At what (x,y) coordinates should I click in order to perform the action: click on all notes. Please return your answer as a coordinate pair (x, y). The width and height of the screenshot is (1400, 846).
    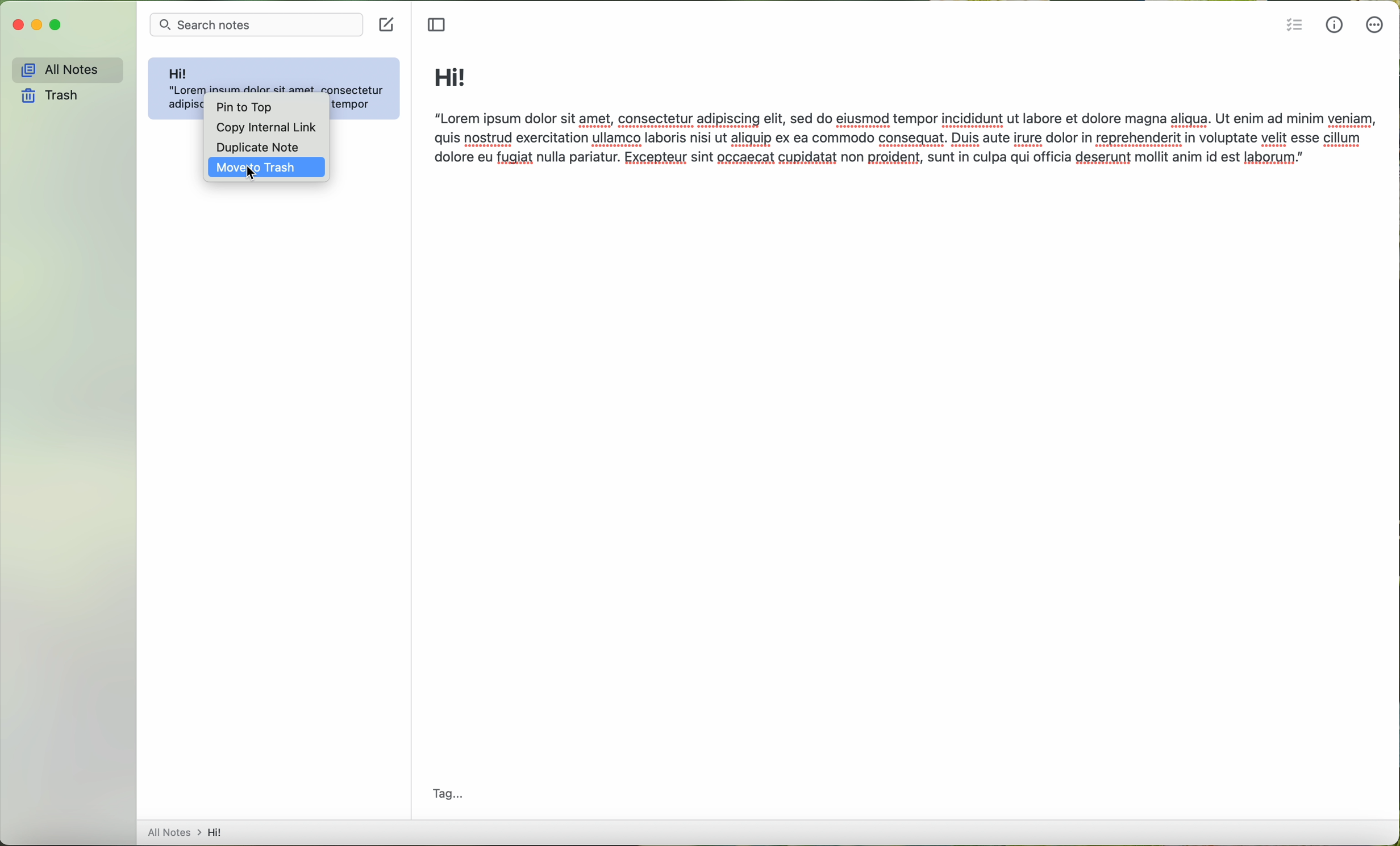
    Looking at the image, I should click on (64, 68).